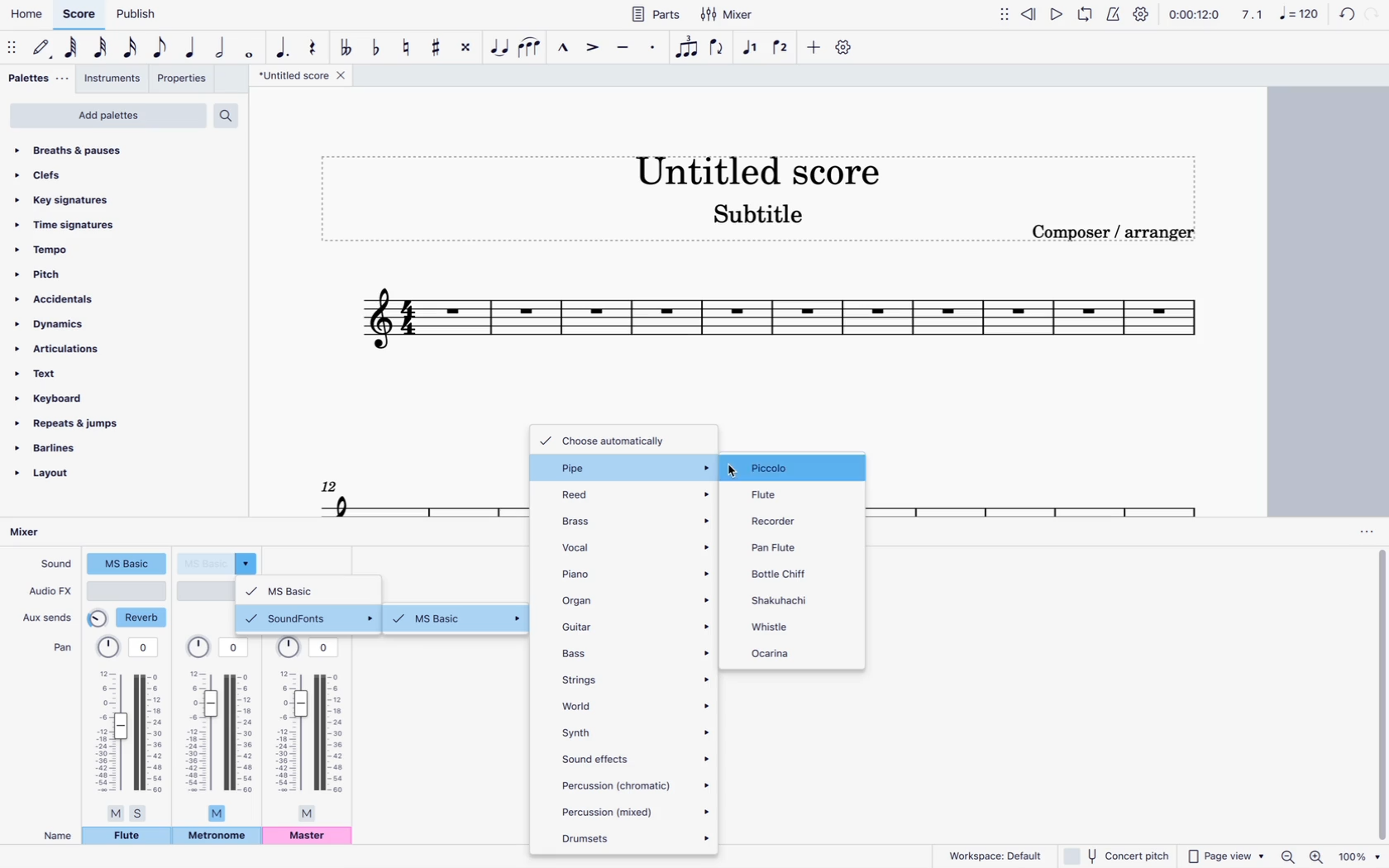 This screenshot has height=868, width=1389. Describe the element at coordinates (1140, 13) in the screenshot. I see `settings` at that location.